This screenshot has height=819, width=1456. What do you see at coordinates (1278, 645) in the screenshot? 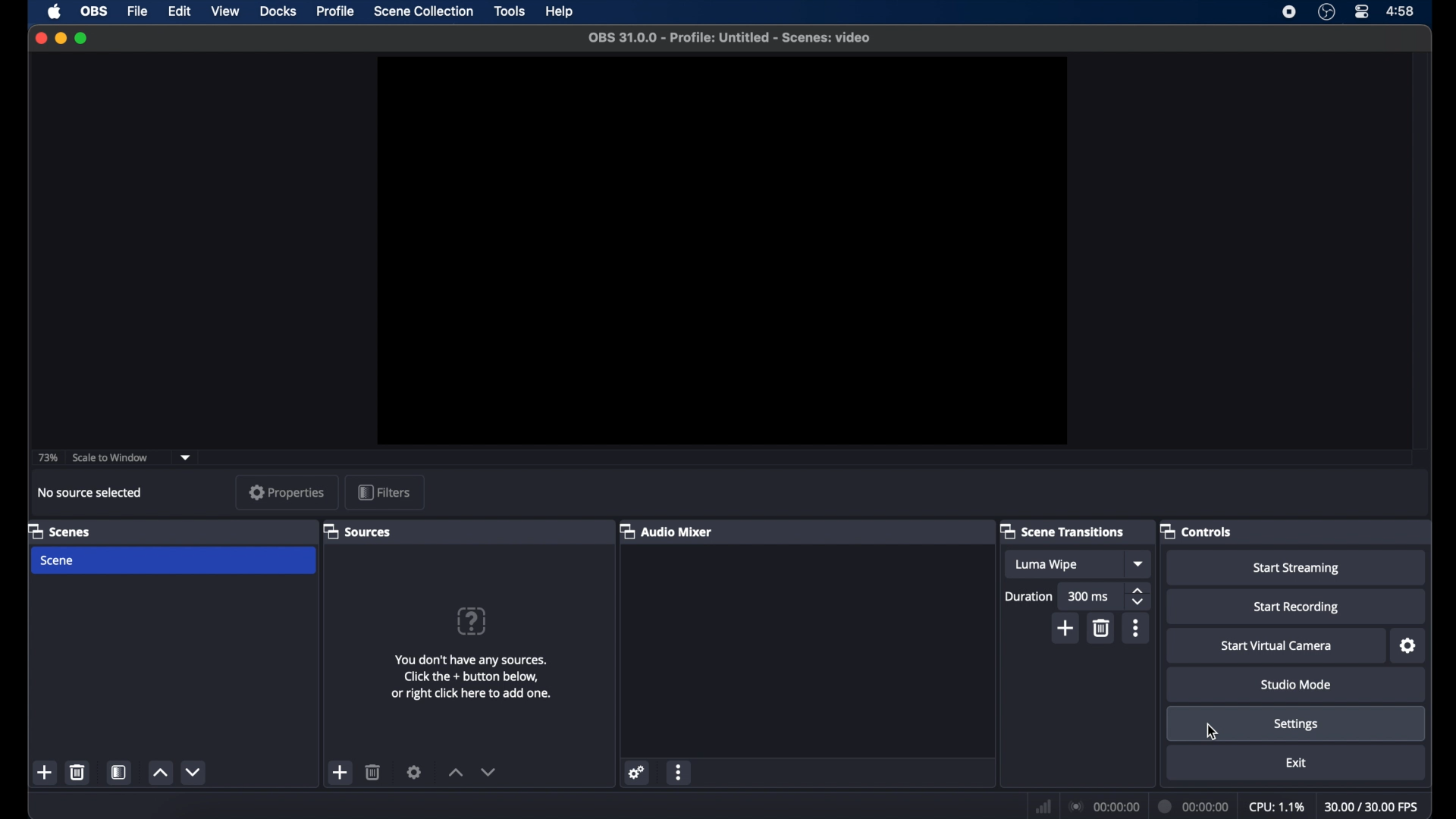
I see `start virtual camera` at bounding box center [1278, 645].